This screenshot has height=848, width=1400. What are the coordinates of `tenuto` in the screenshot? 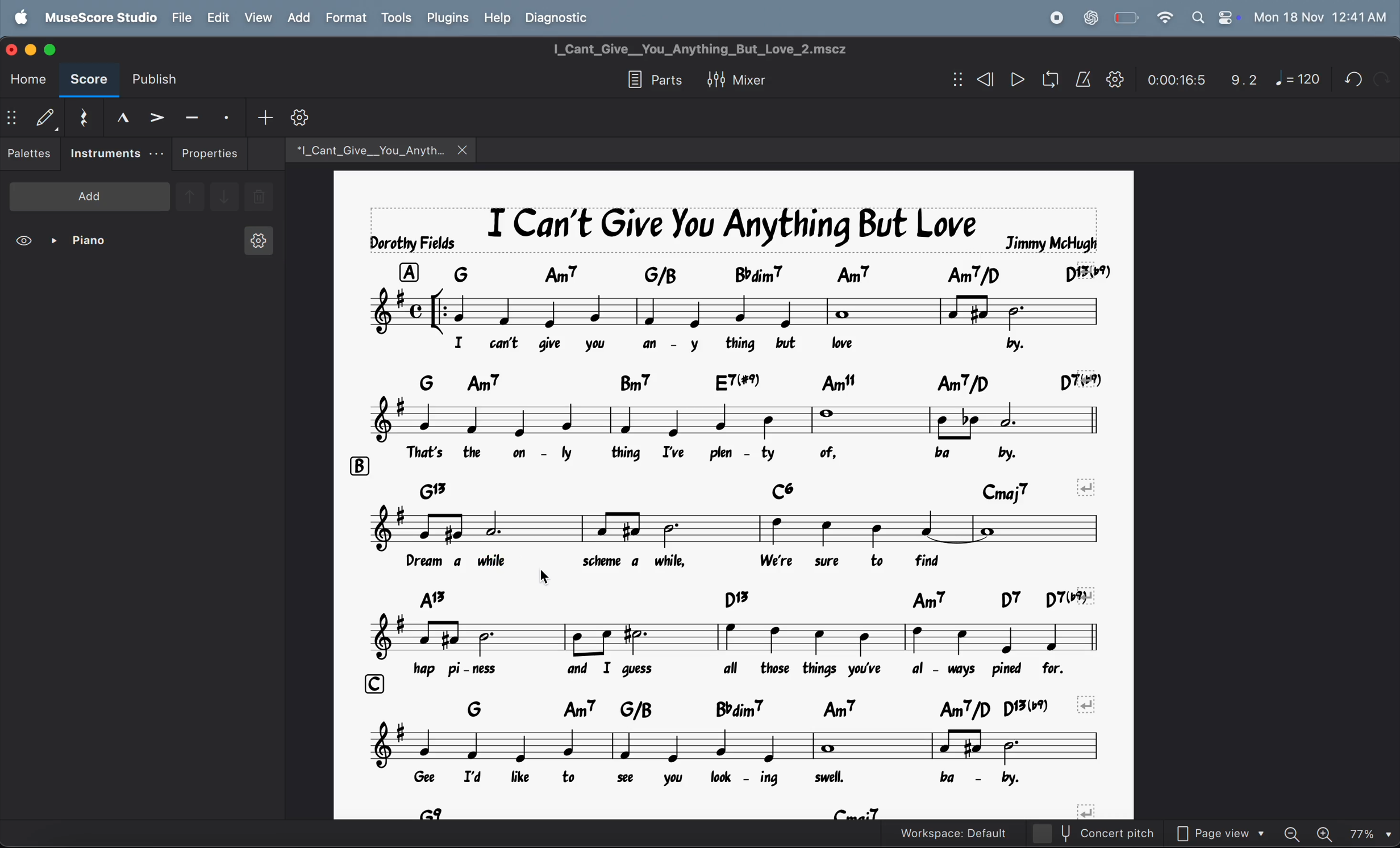 It's located at (188, 115).